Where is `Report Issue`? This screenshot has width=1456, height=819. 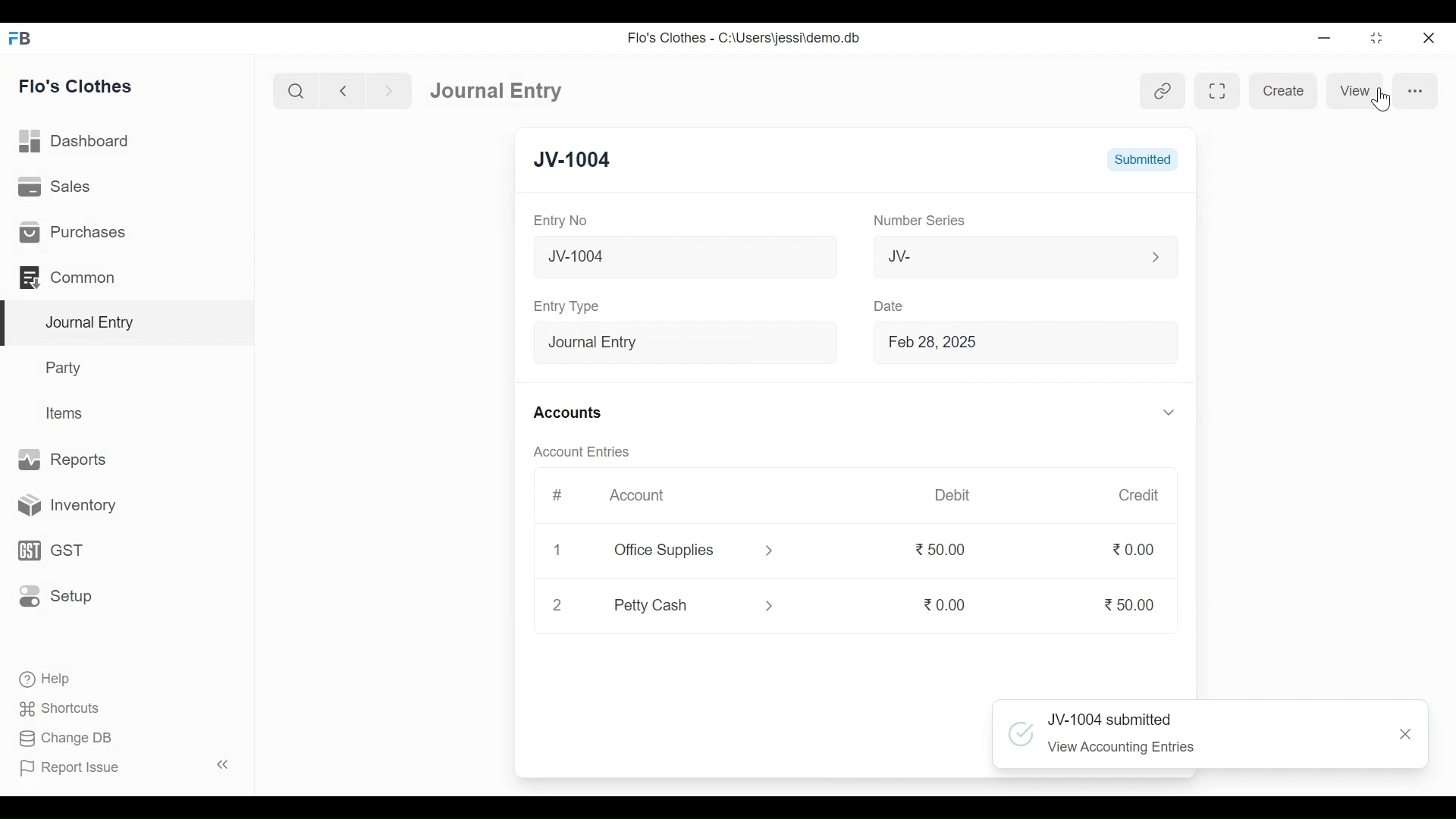 Report Issue is located at coordinates (69, 767).